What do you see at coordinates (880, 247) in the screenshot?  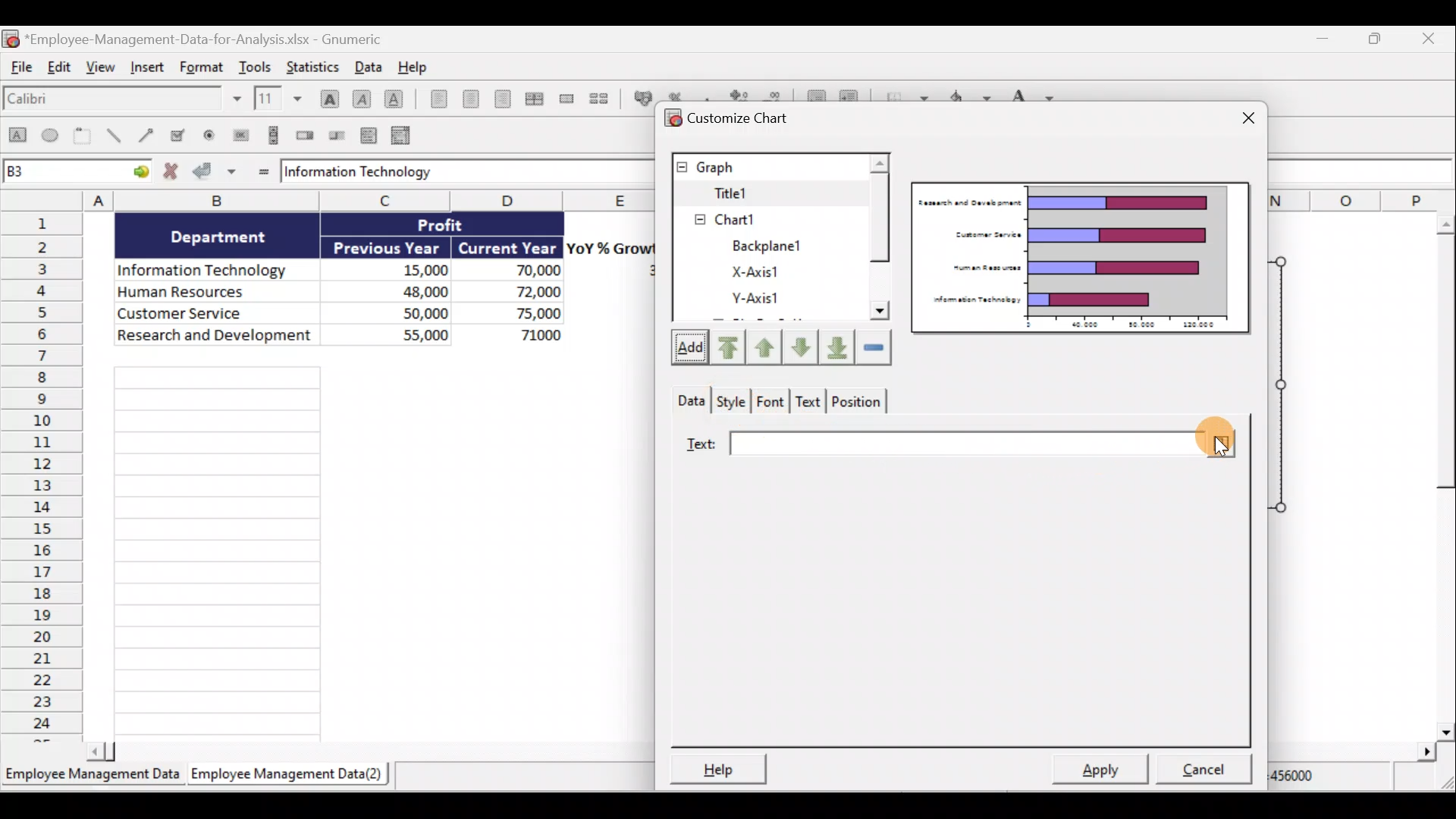 I see `Scroll bar` at bounding box center [880, 247].